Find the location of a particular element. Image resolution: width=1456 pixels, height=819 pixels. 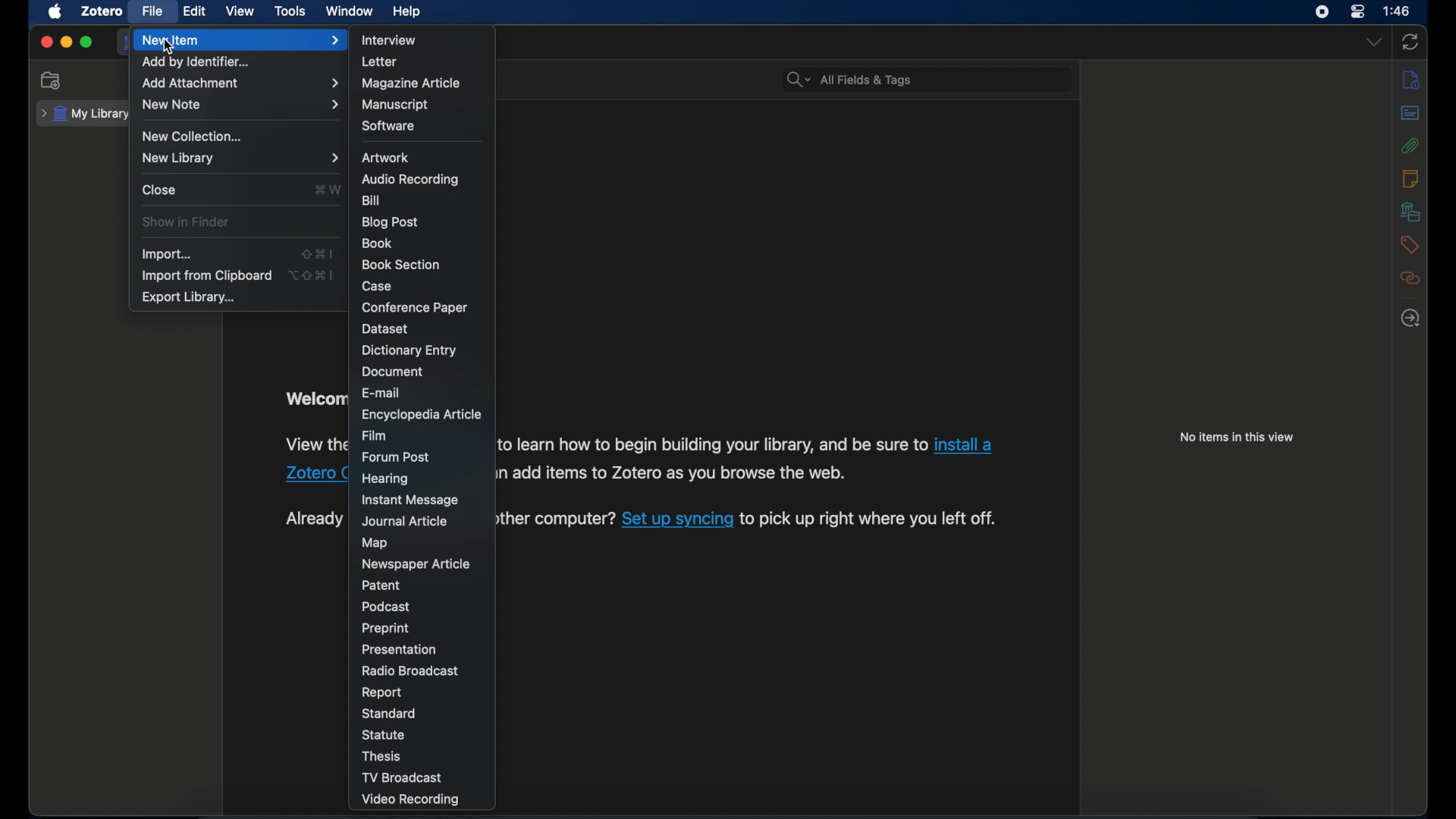

thesis is located at coordinates (382, 757).